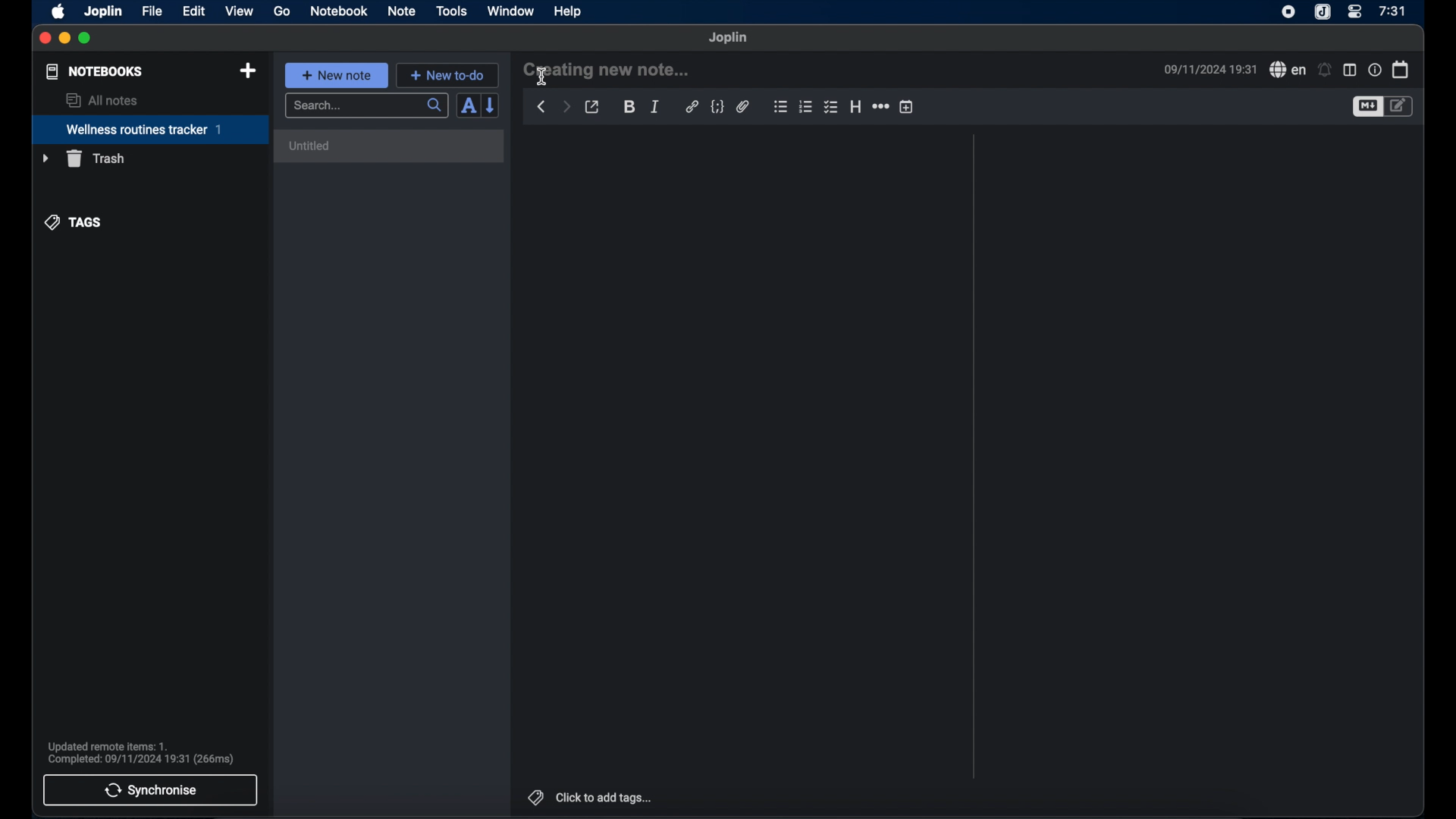  I want to click on window, so click(511, 11).